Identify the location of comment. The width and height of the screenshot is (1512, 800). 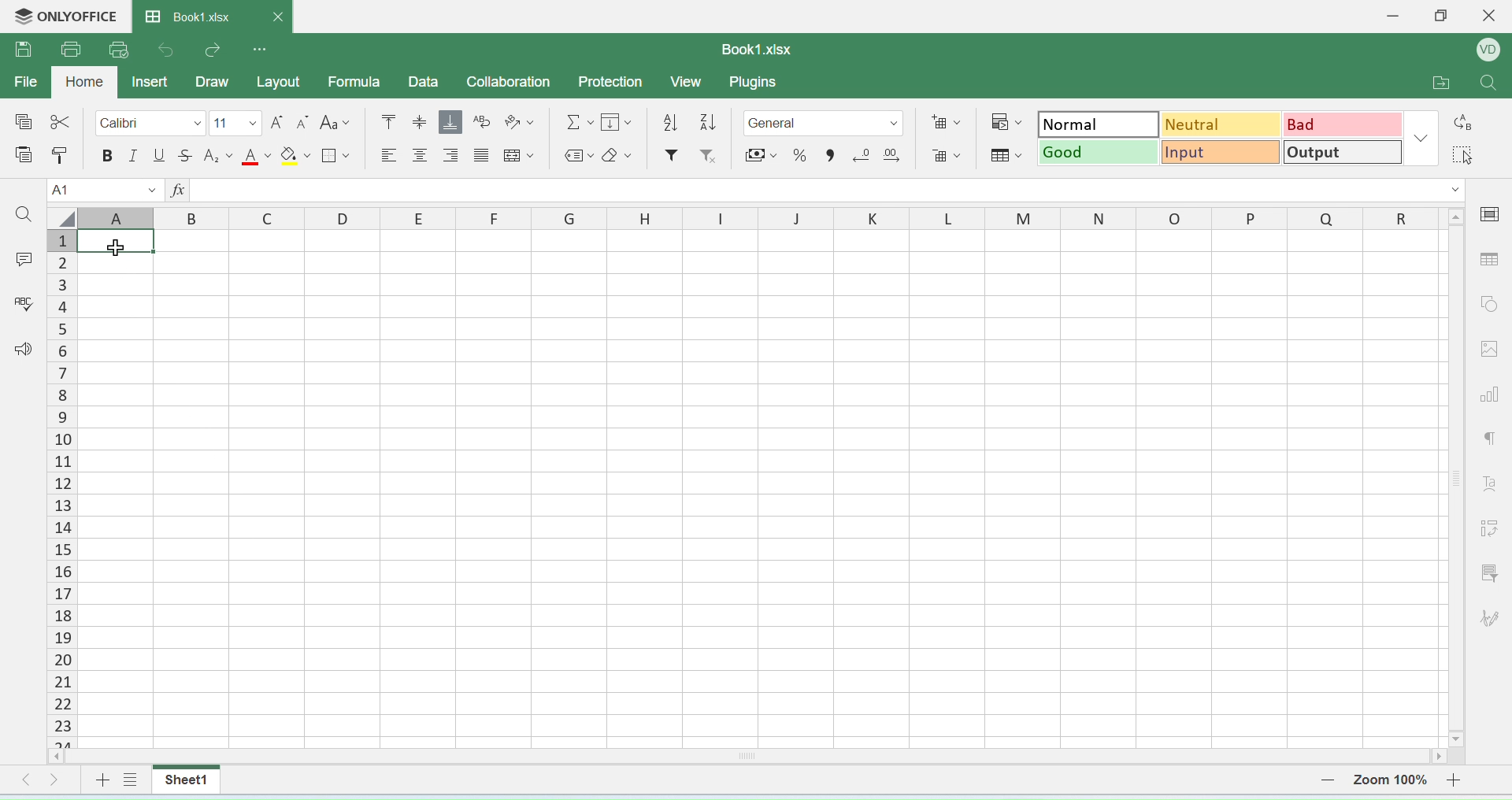
(27, 257).